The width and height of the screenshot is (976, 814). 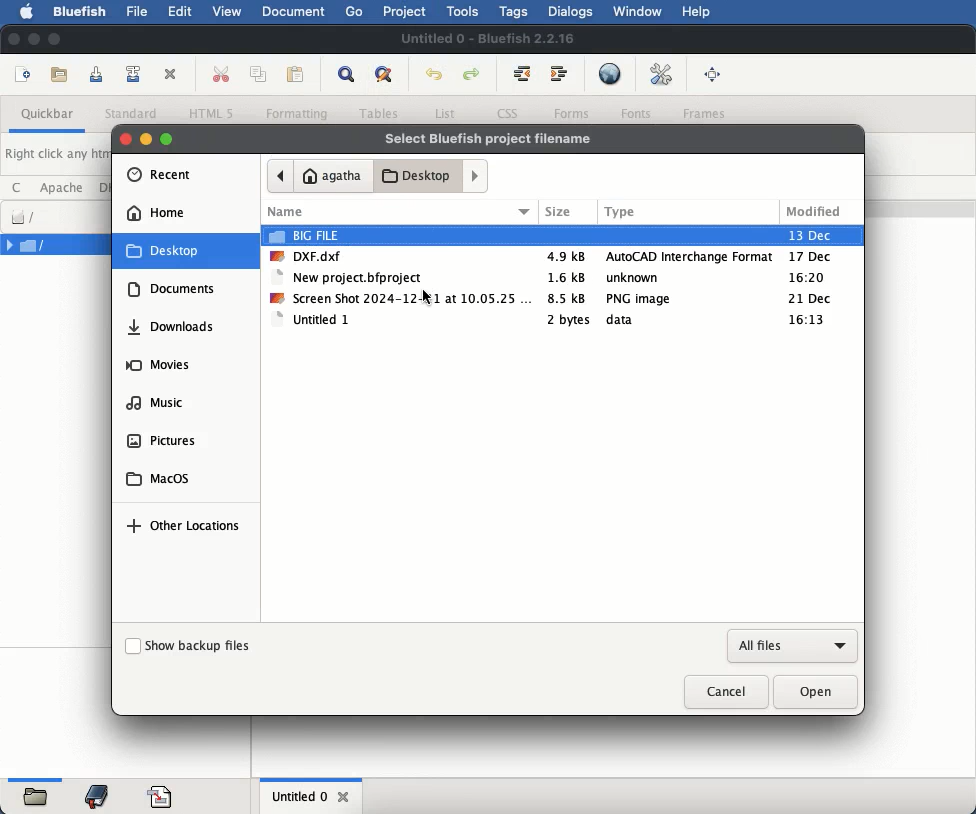 I want to click on name, so click(x=402, y=208).